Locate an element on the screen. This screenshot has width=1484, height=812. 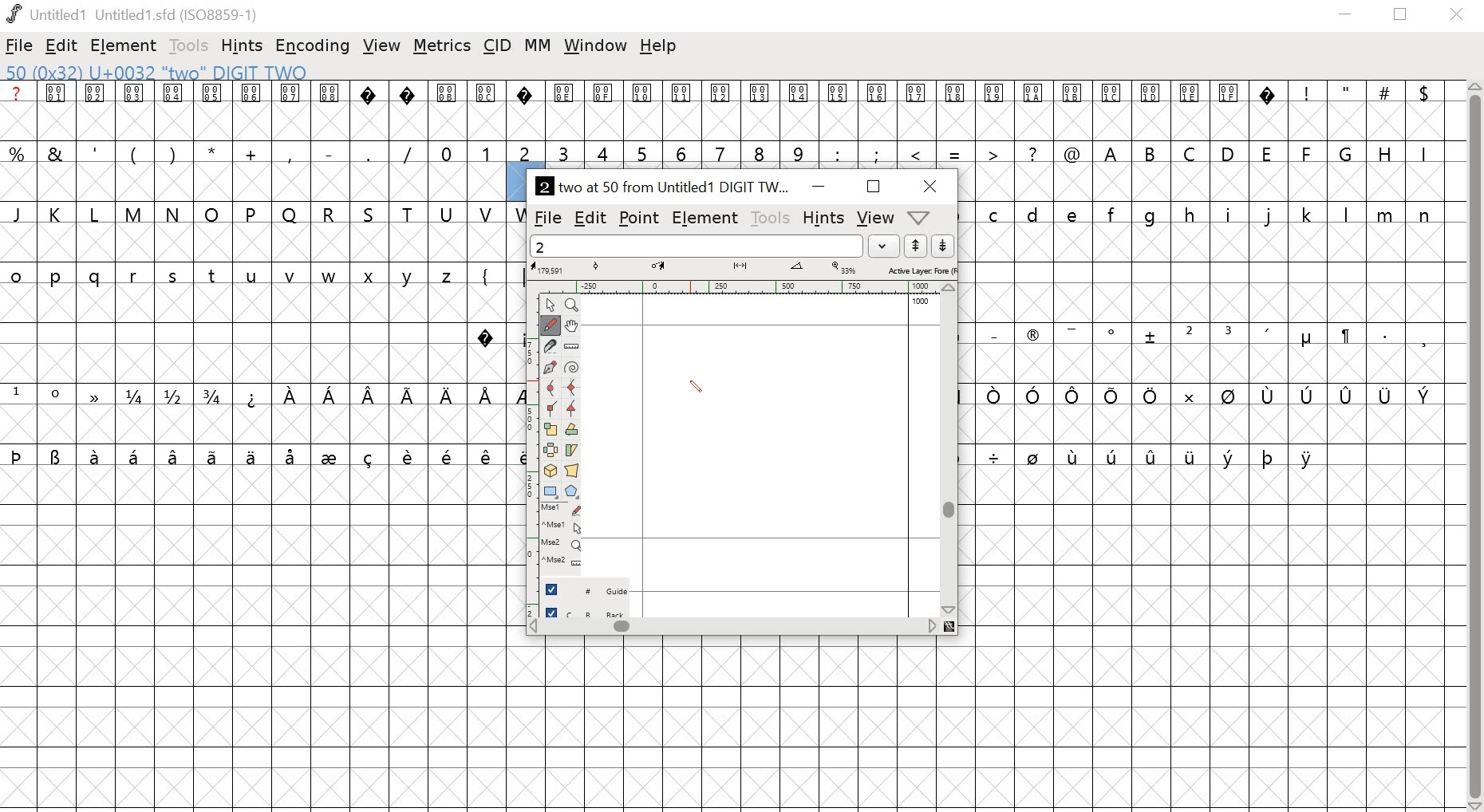
edit is located at coordinates (63, 47).